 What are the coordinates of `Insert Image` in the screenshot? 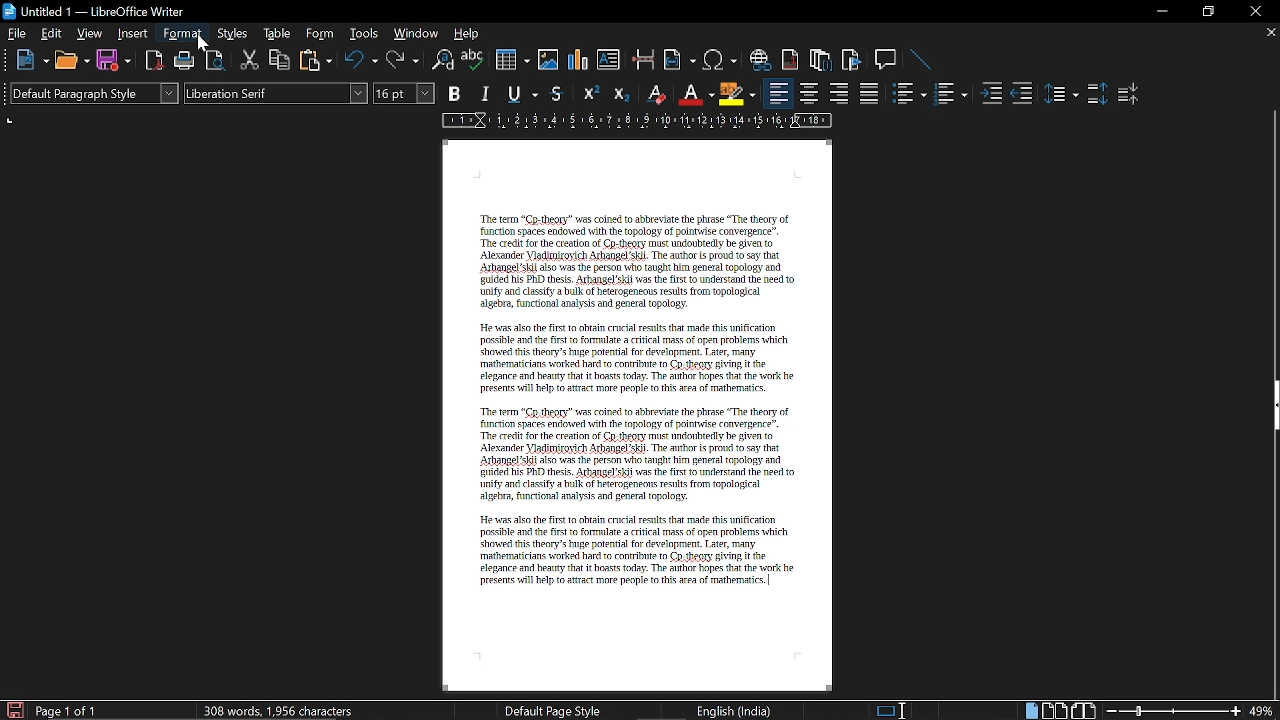 It's located at (550, 60).